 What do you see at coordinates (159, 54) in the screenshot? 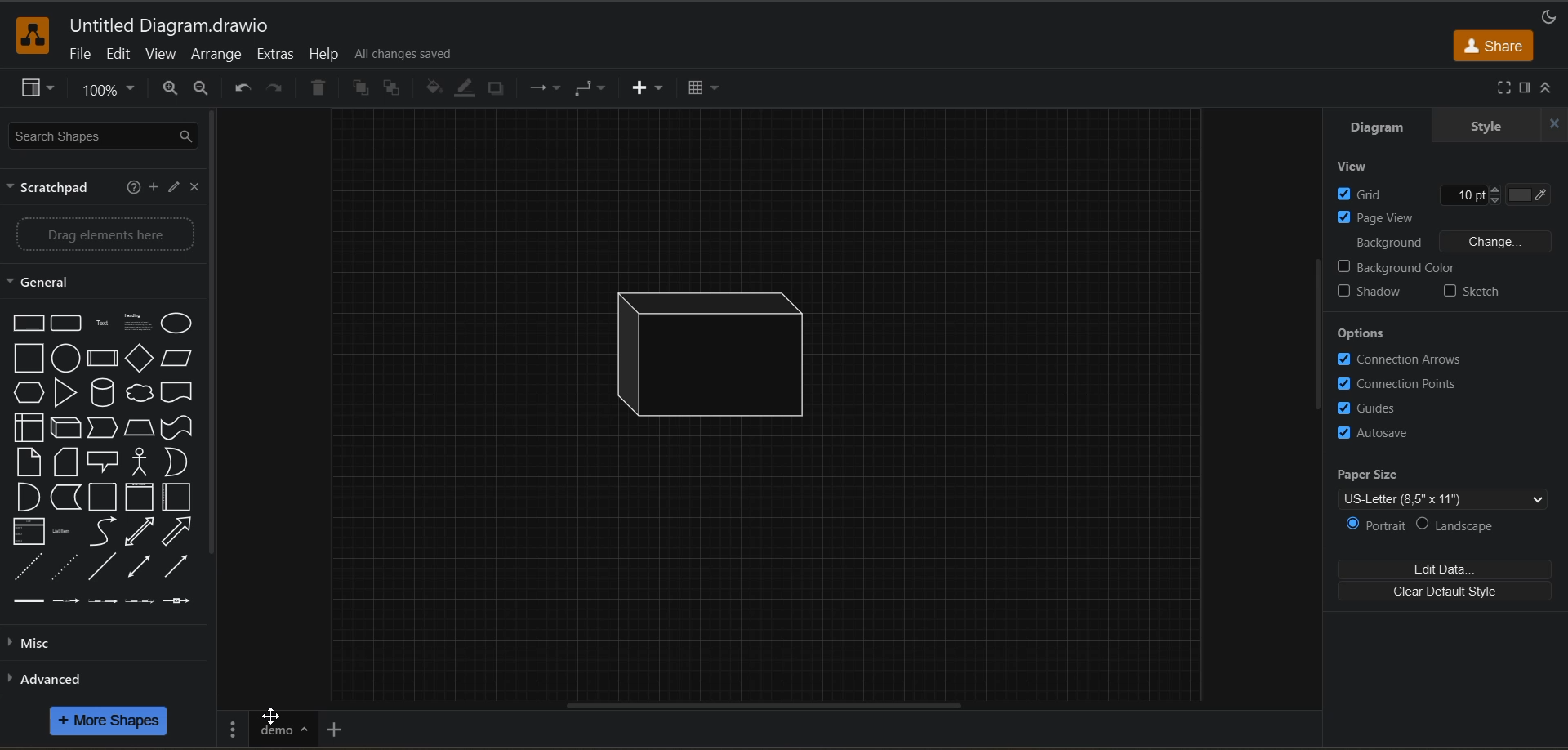
I see `view` at bounding box center [159, 54].